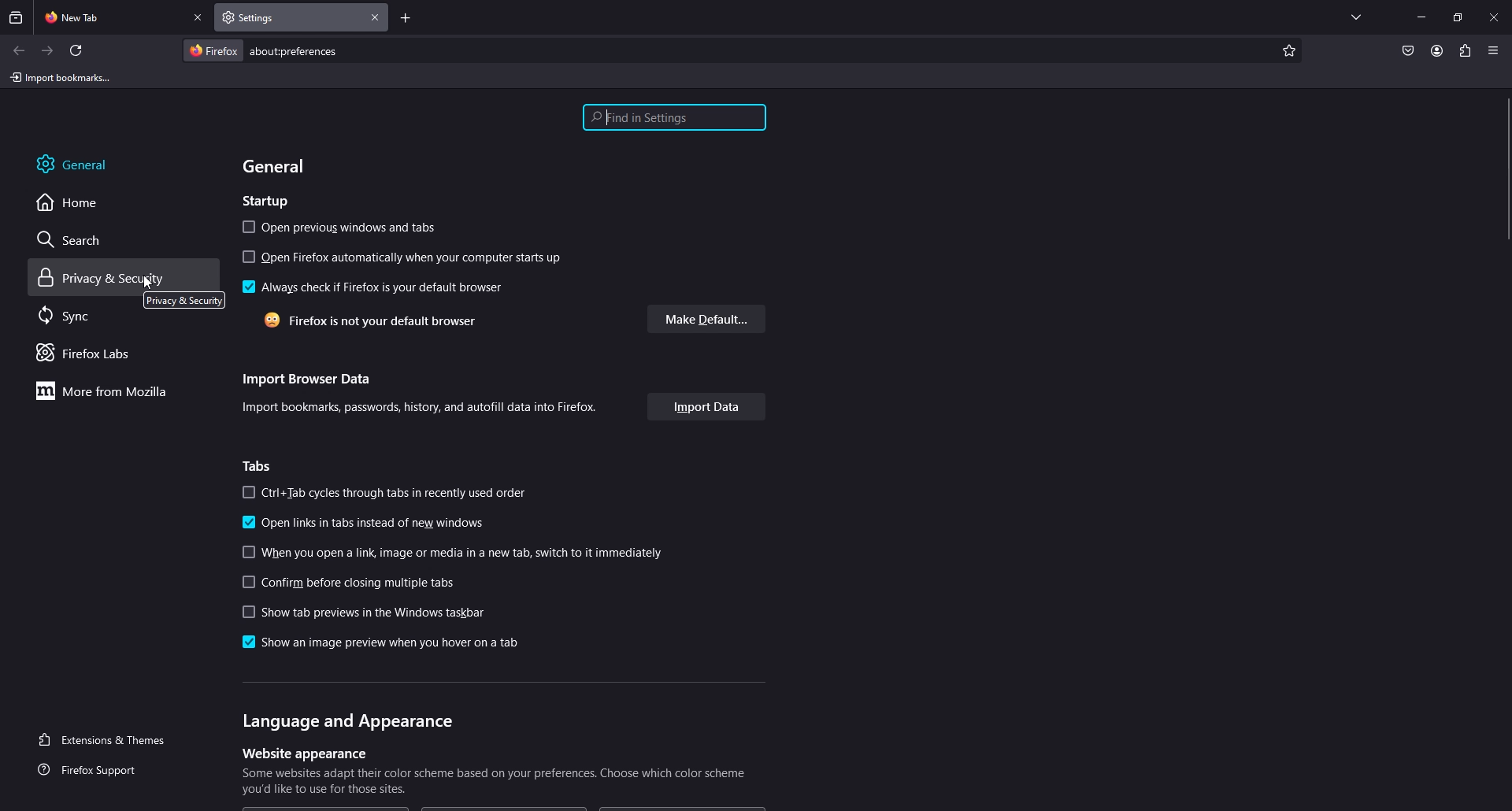 Image resolution: width=1512 pixels, height=811 pixels. I want to click on list all tabs, so click(1356, 14).